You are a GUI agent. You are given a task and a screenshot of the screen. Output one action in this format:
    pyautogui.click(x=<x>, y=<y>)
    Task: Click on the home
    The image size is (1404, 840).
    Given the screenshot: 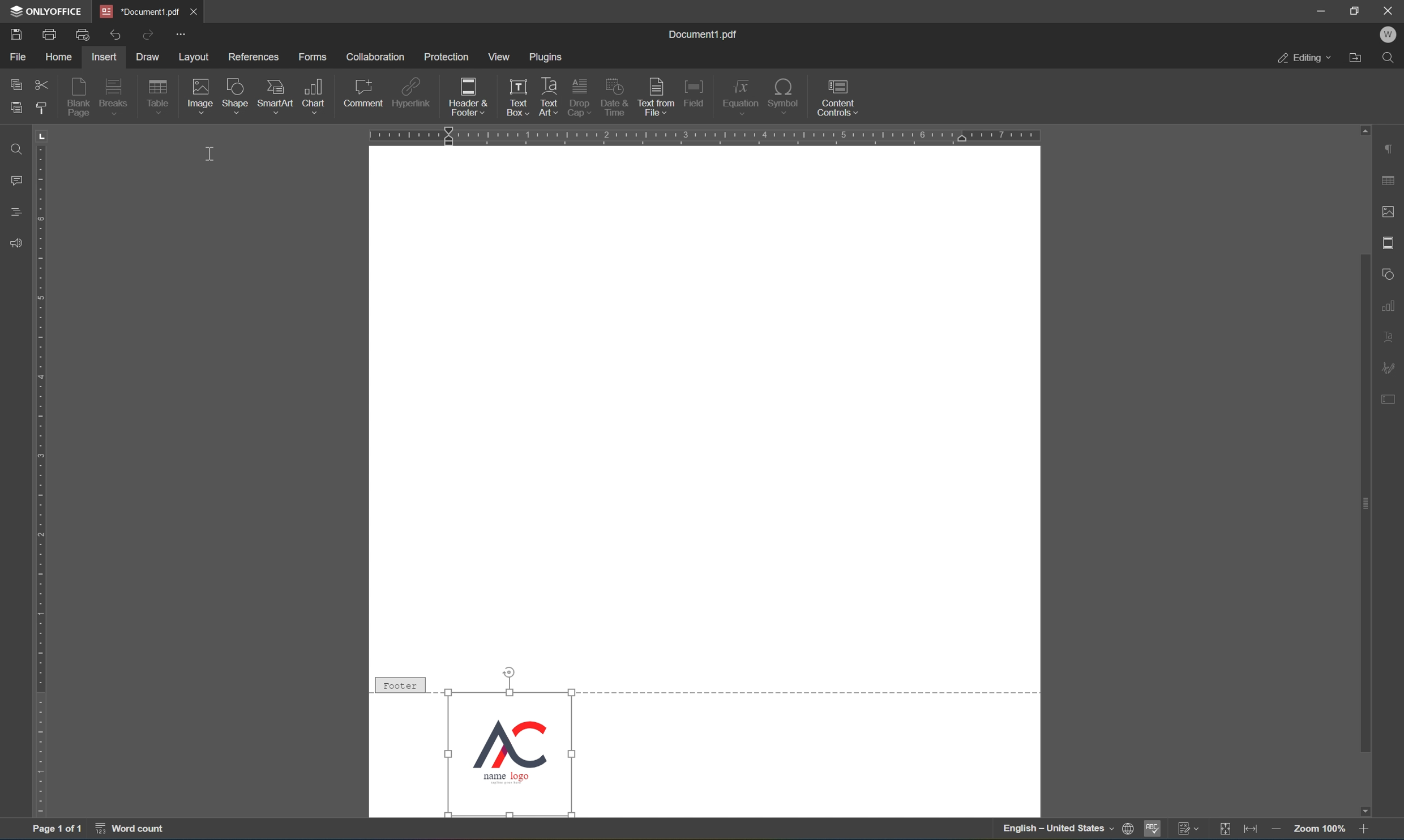 What is the action you would take?
    pyautogui.click(x=56, y=58)
    